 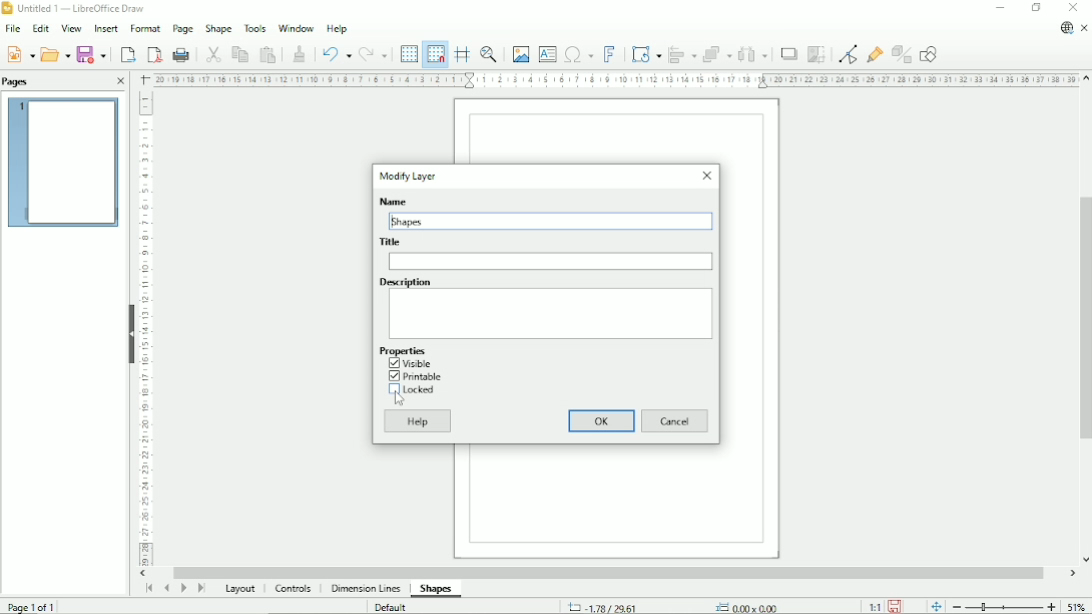 I want to click on Insert special characters, so click(x=578, y=53).